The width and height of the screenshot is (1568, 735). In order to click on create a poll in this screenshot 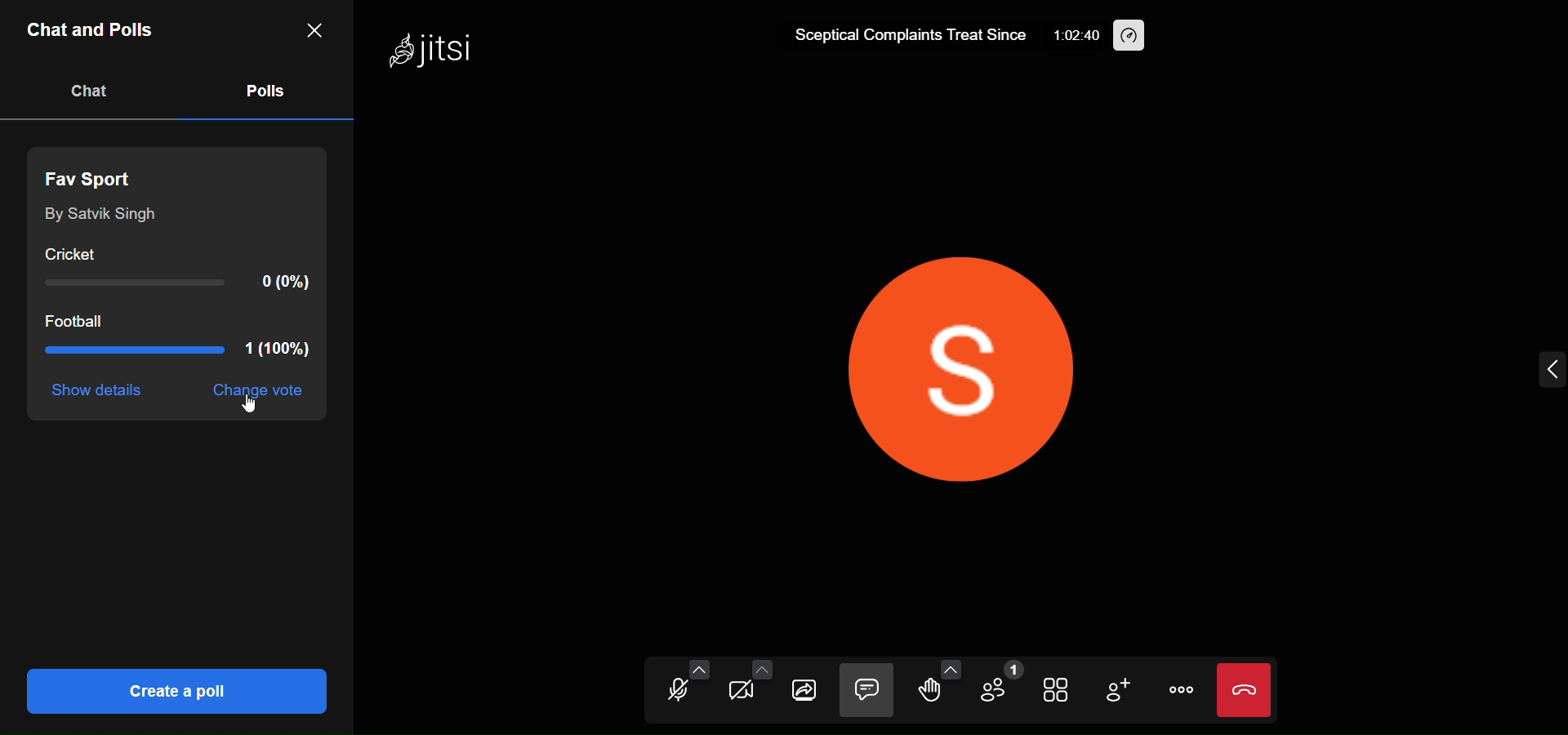, I will do `click(173, 690)`.